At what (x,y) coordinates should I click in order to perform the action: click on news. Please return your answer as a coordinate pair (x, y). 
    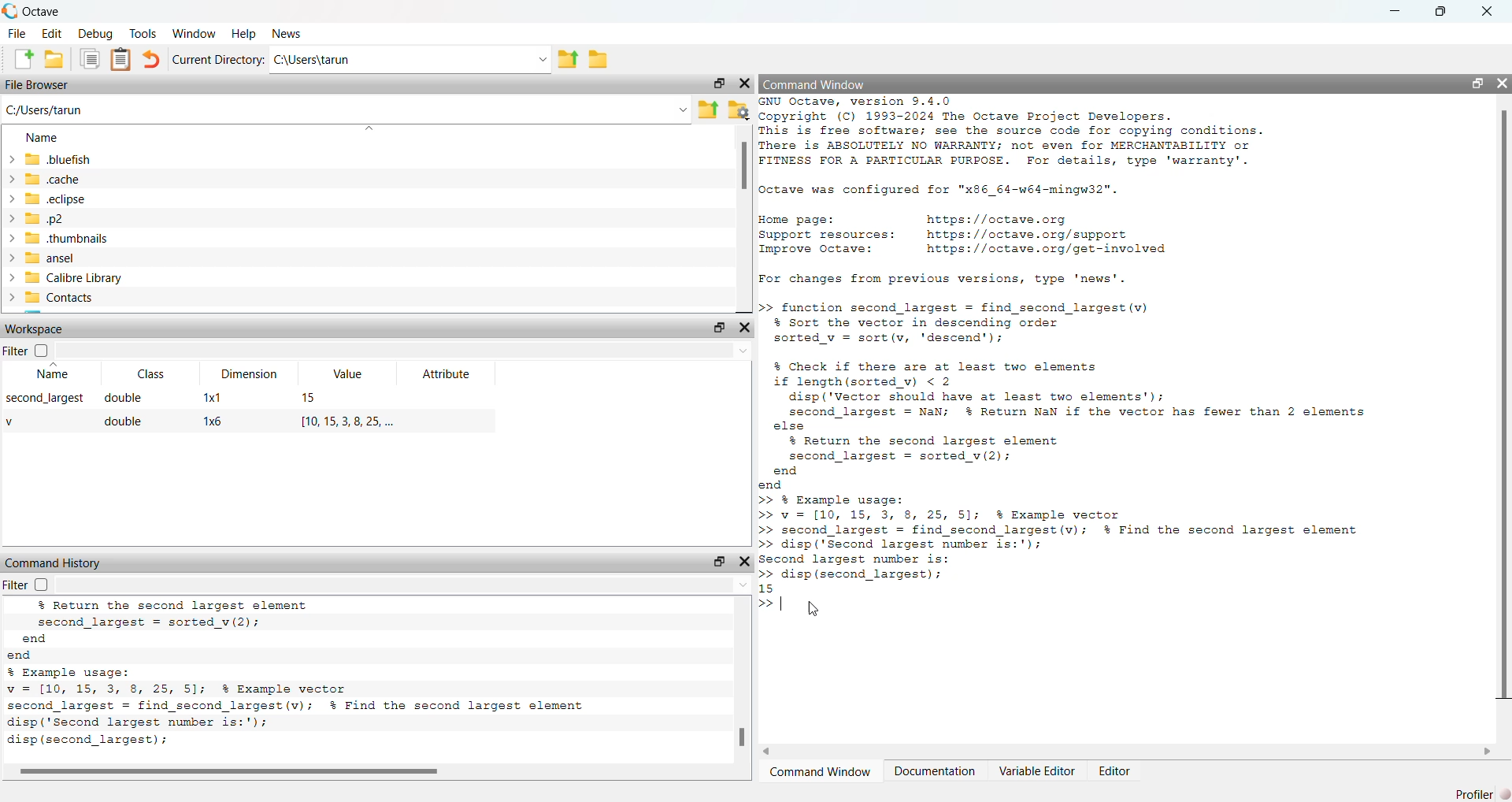
    Looking at the image, I should click on (287, 33).